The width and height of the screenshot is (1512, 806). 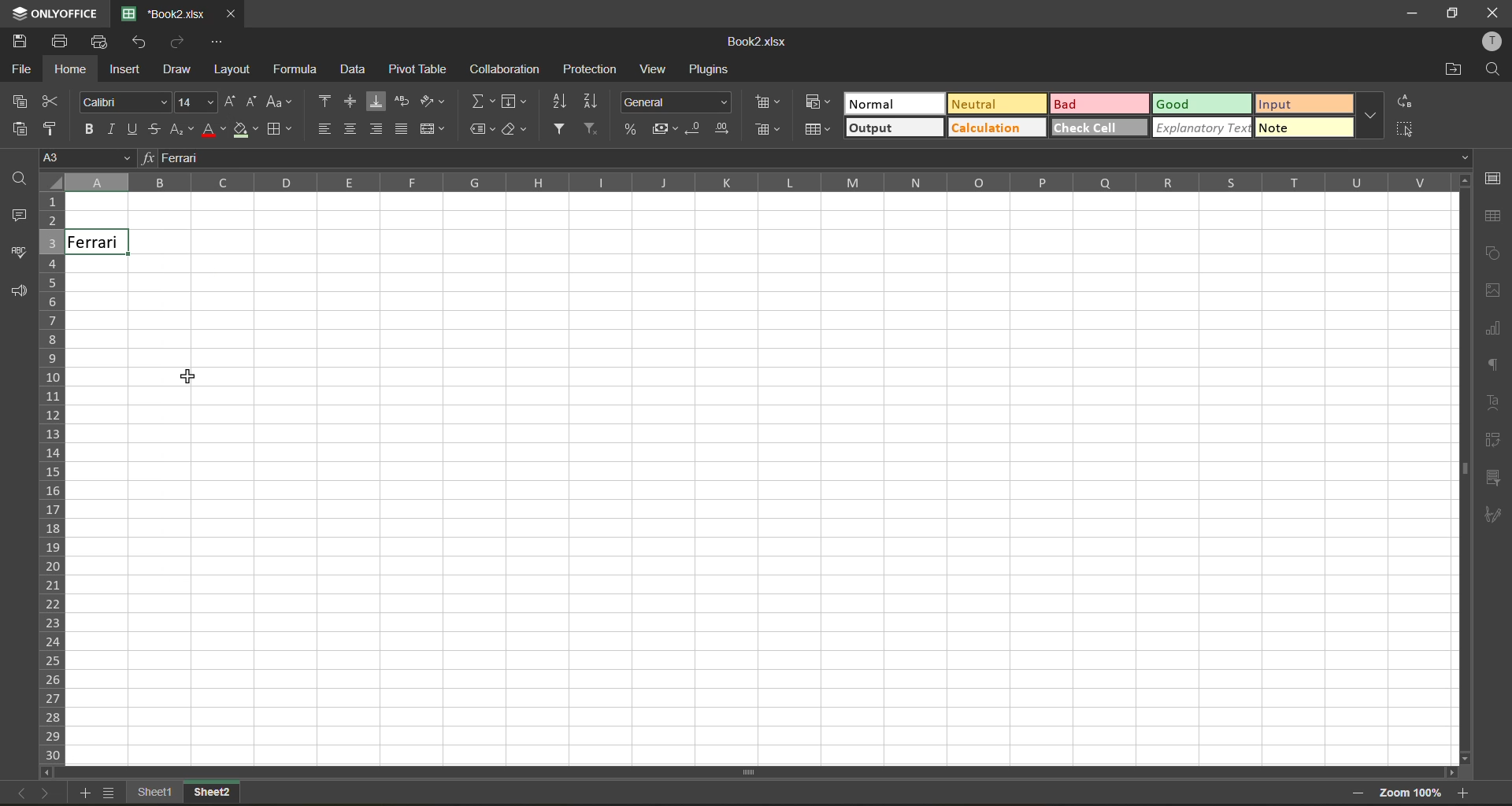 I want to click on insert cells, so click(x=765, y=102).